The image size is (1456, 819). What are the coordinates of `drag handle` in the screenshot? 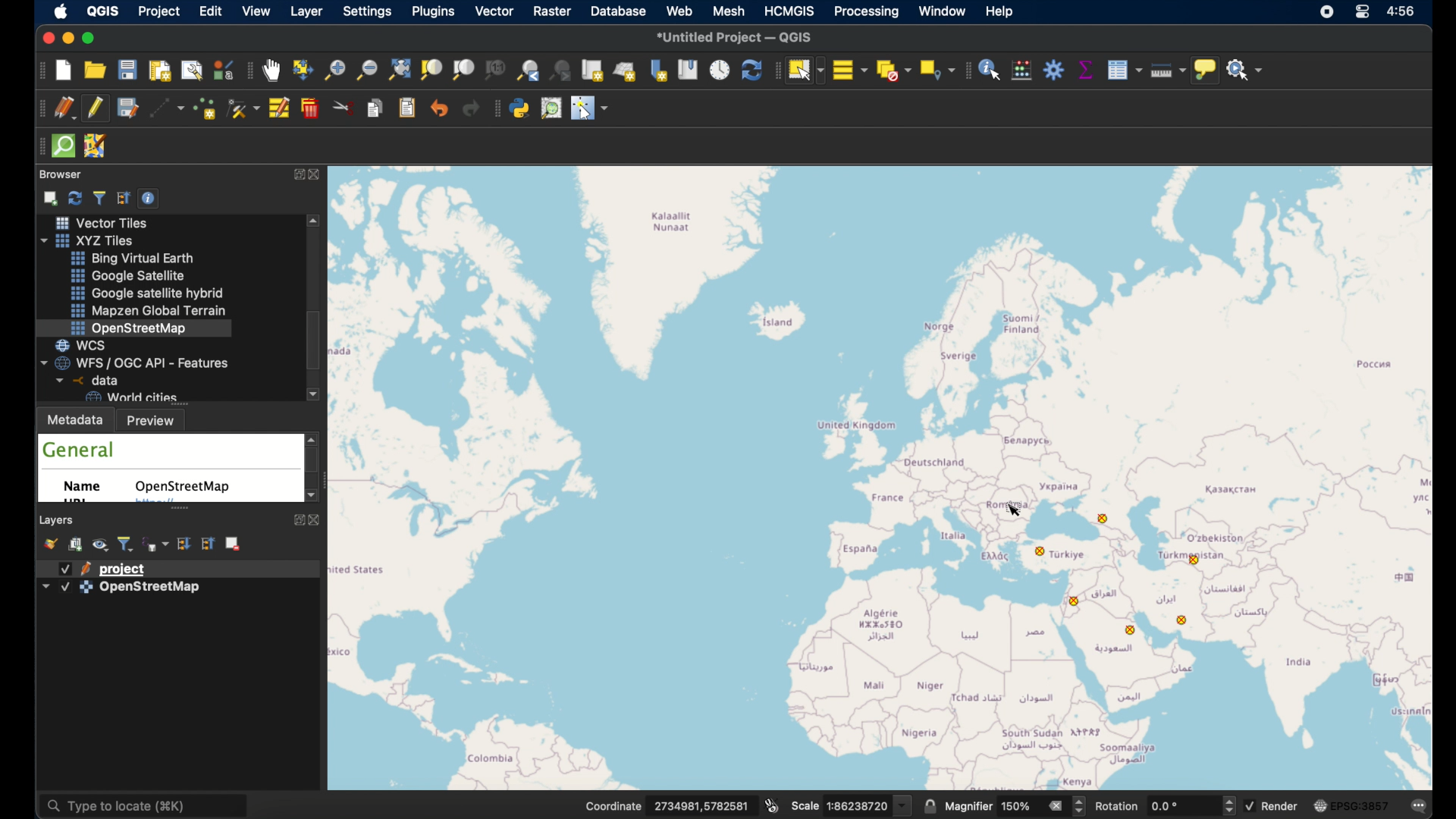 It's located at (39, 146).